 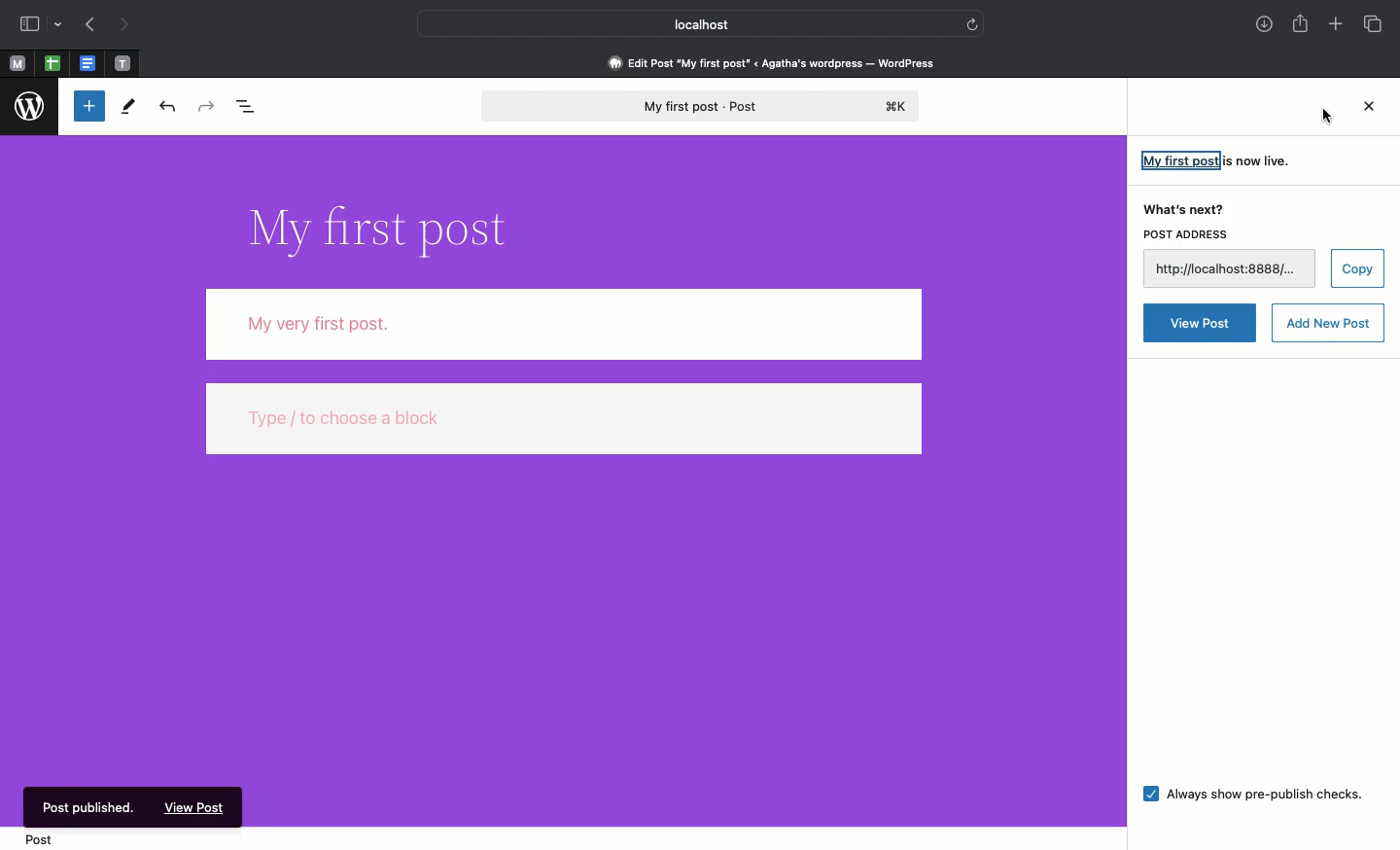 What do you see at coordinates (28, 107) in the screenshot?
I see `Wordpress` at bounding box center [28, 107].